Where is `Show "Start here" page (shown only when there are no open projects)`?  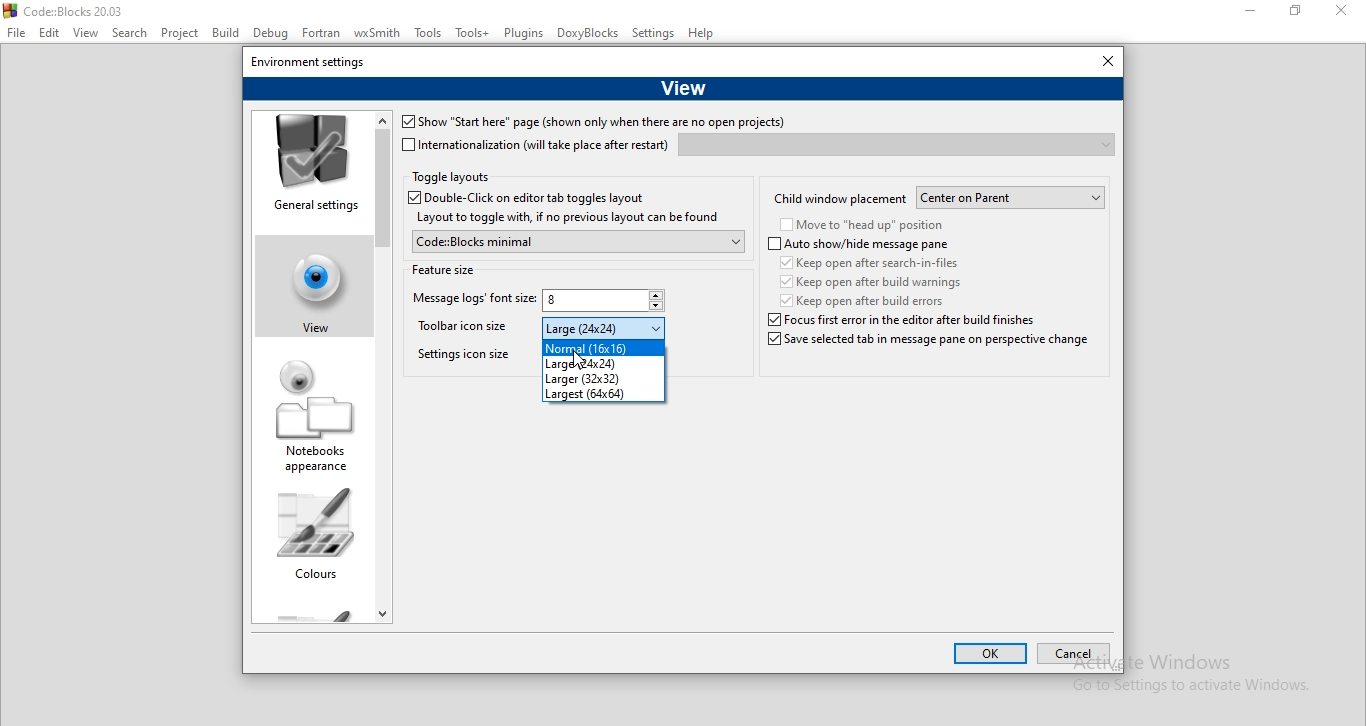
Show "Start here" page (shown only when there are no open projects) is located at coordinates (592, 123).